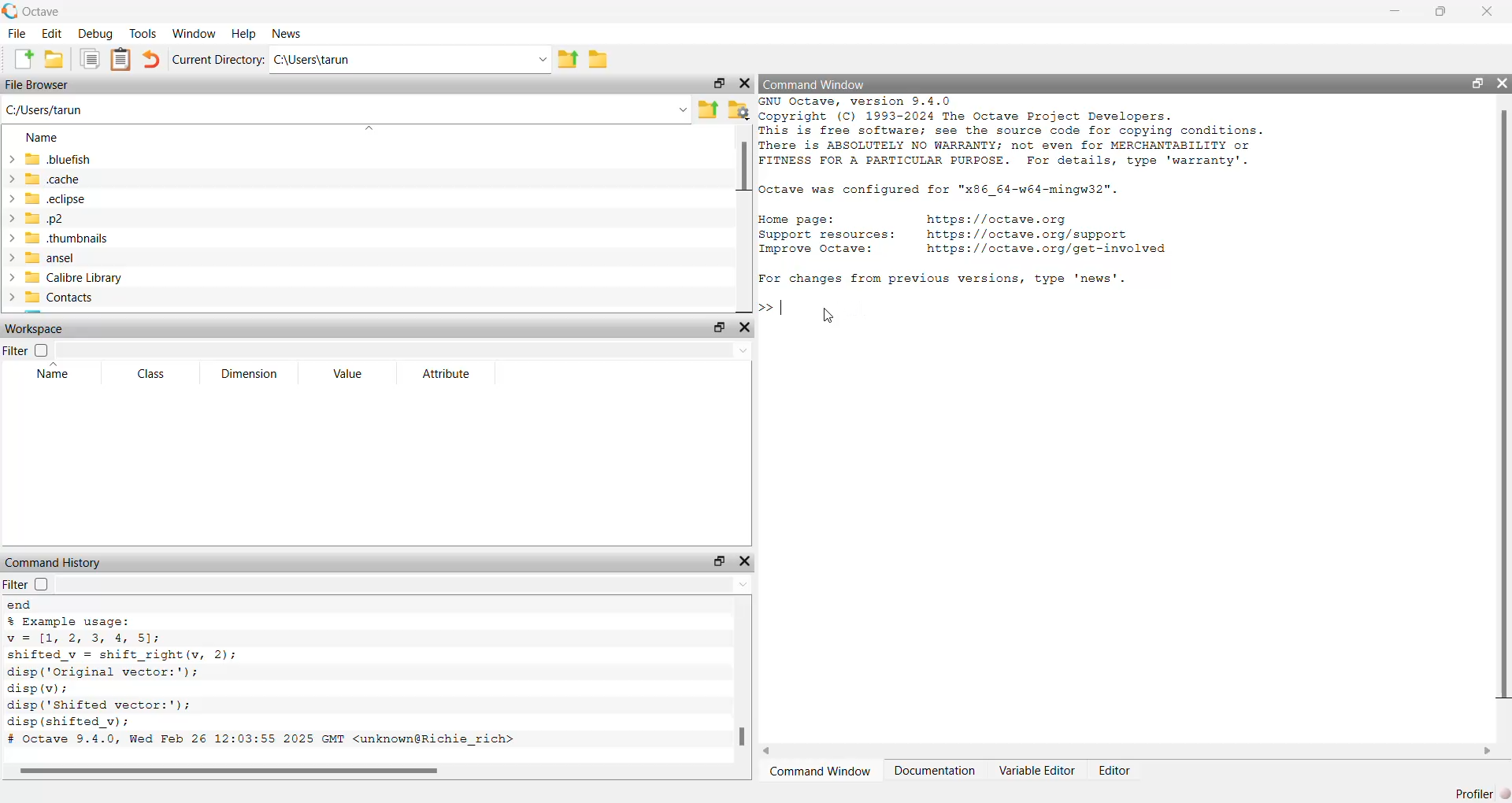 The width and height of the screenshot is (1512, 803). I want to click on news, so click(287, 35).